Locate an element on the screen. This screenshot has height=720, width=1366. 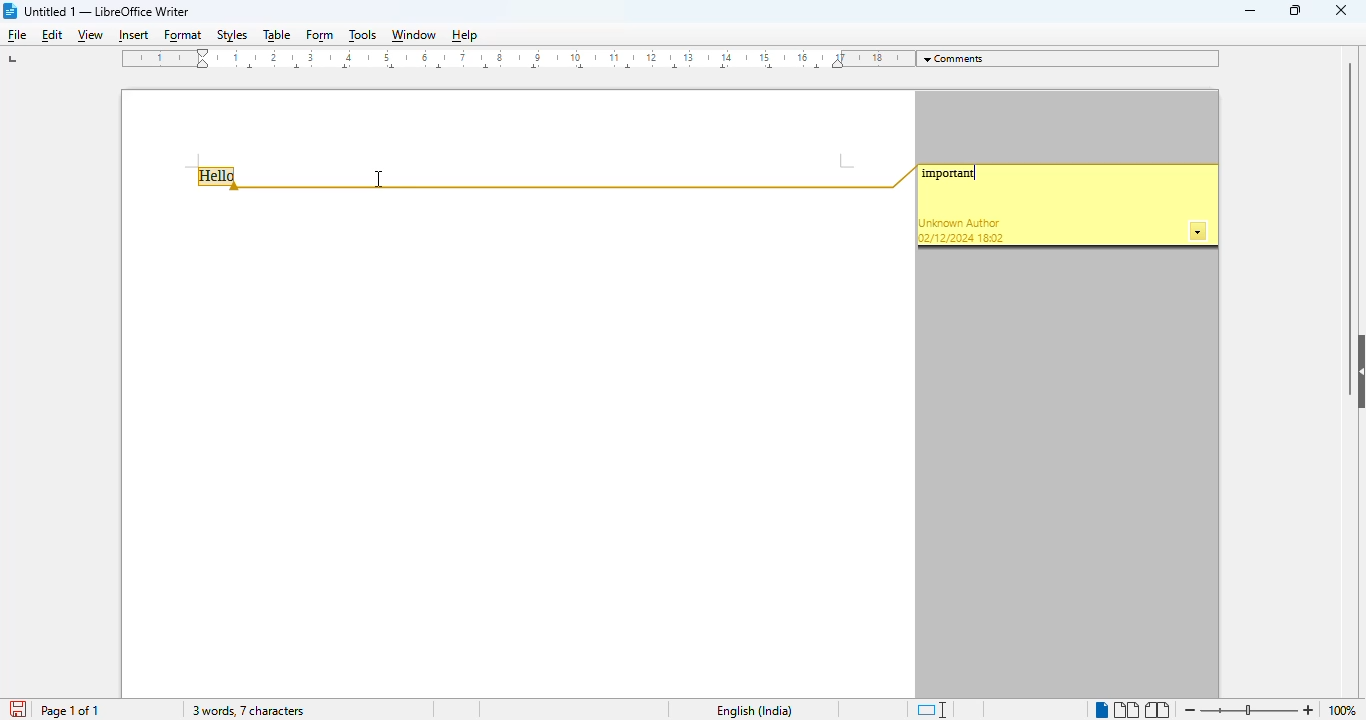
title is located at coordinates (107, 11).